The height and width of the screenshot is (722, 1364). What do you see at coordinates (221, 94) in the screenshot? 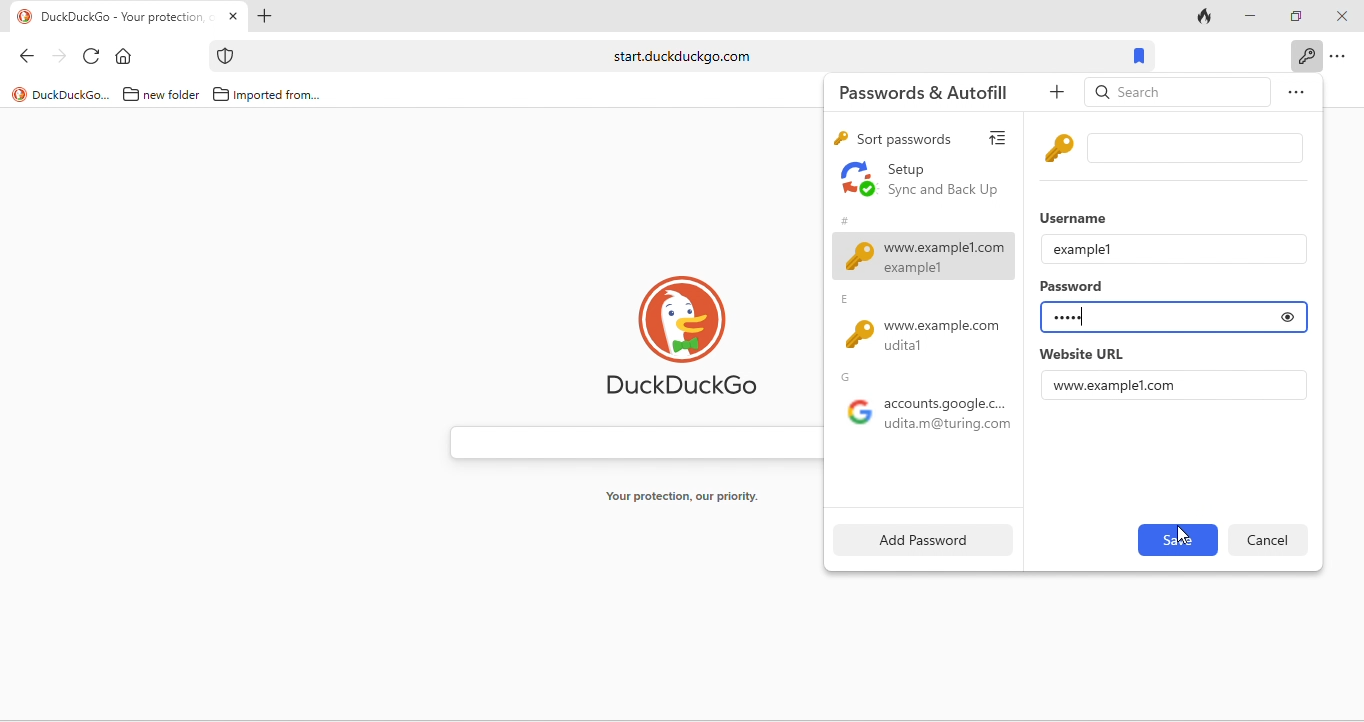
I see `folder icon` at bounding box center [221, 94].